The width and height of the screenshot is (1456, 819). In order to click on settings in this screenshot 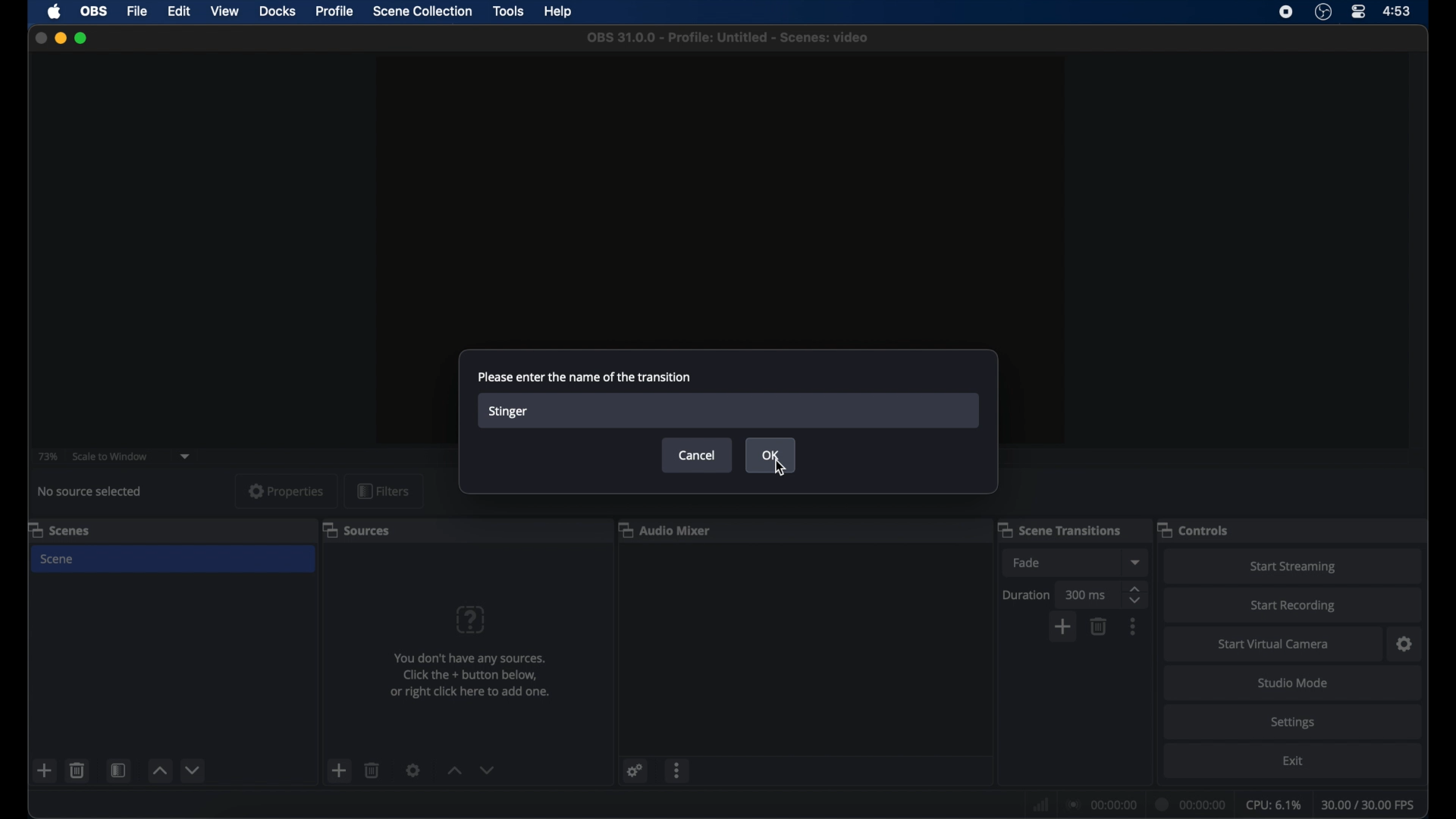, I will do `click(635, 770)`.